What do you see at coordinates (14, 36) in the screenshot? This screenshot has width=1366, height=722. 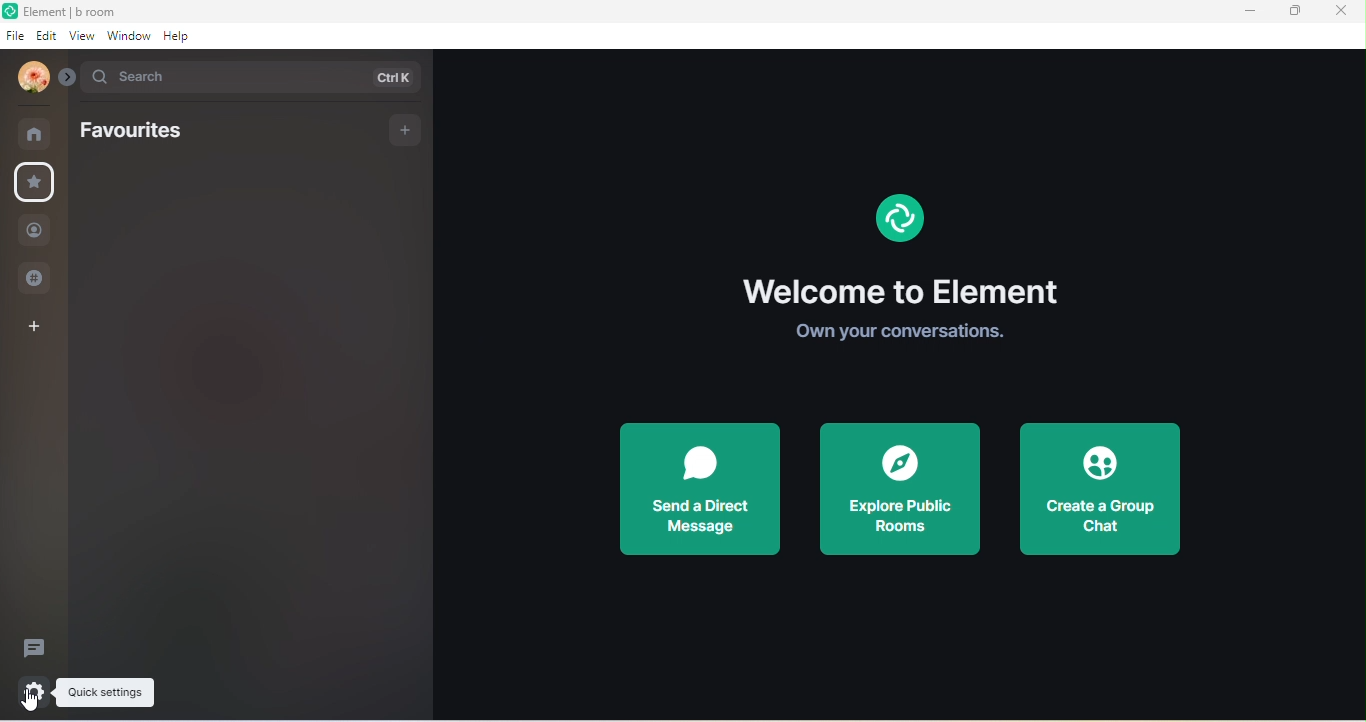 I see `file` at bounding box center [14, 36].